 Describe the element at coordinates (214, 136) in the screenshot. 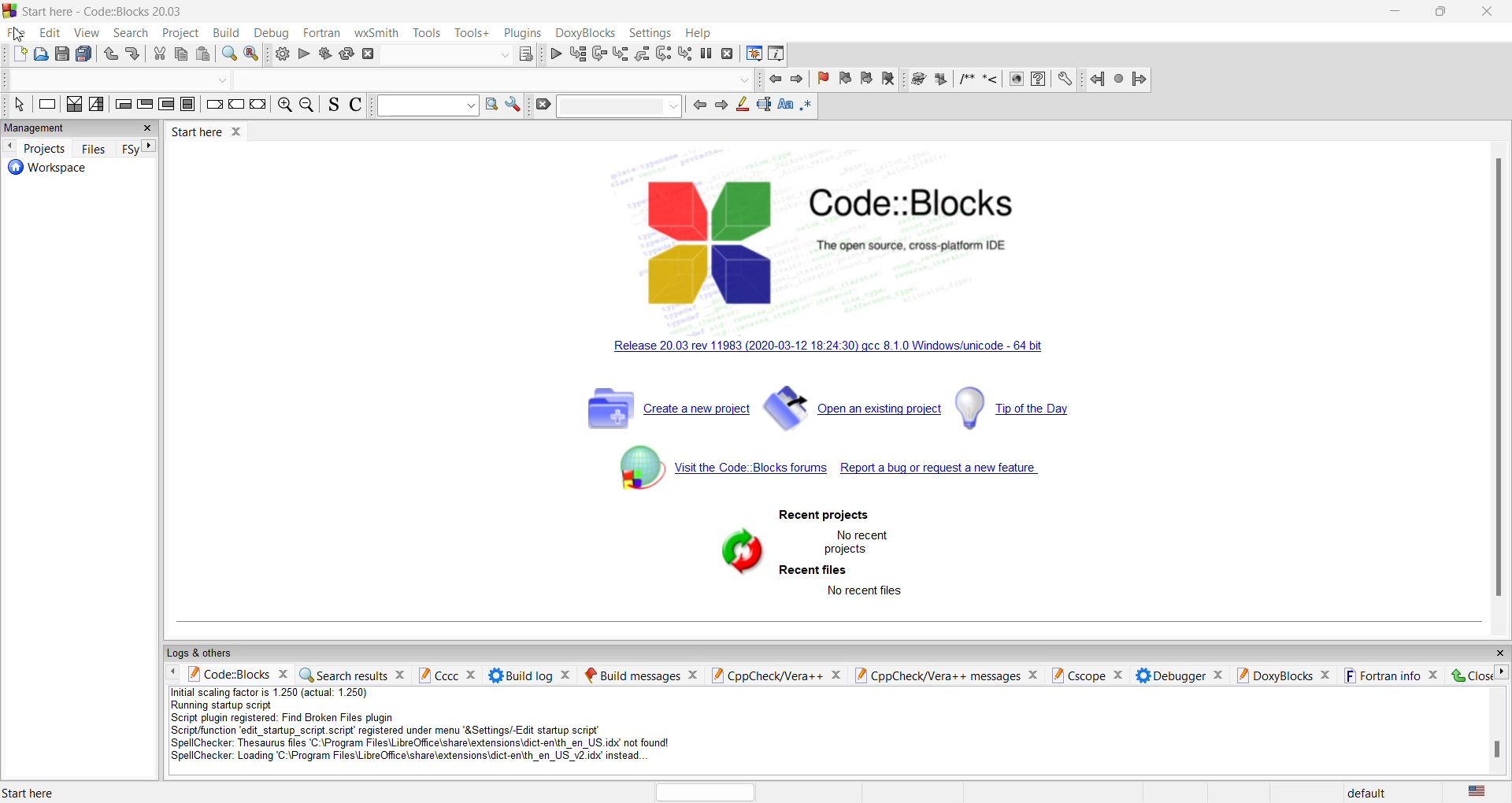

I see `start here` at that location.